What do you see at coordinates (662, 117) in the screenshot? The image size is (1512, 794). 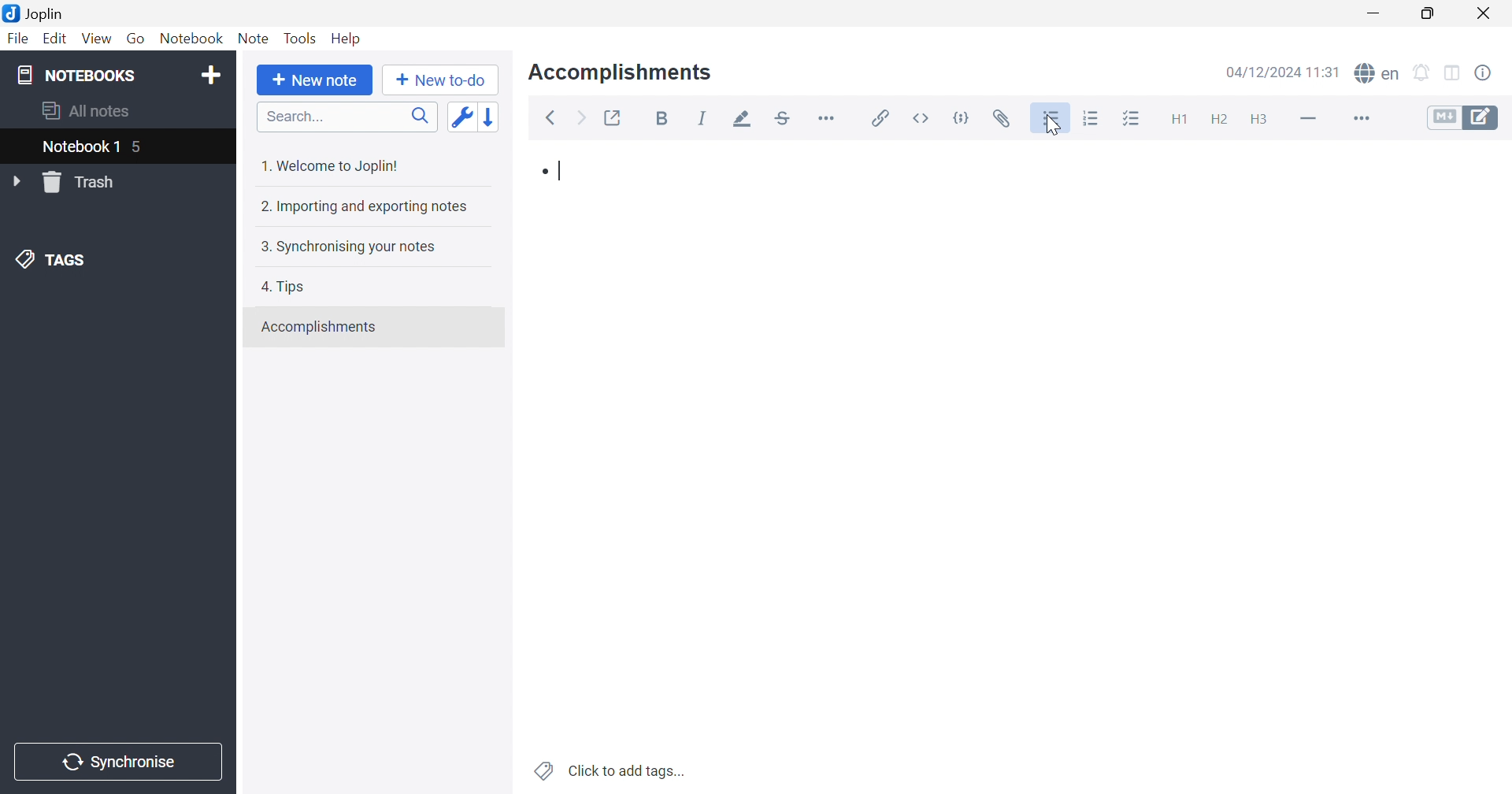 I see `Bold` at bounding box center [662, 117].